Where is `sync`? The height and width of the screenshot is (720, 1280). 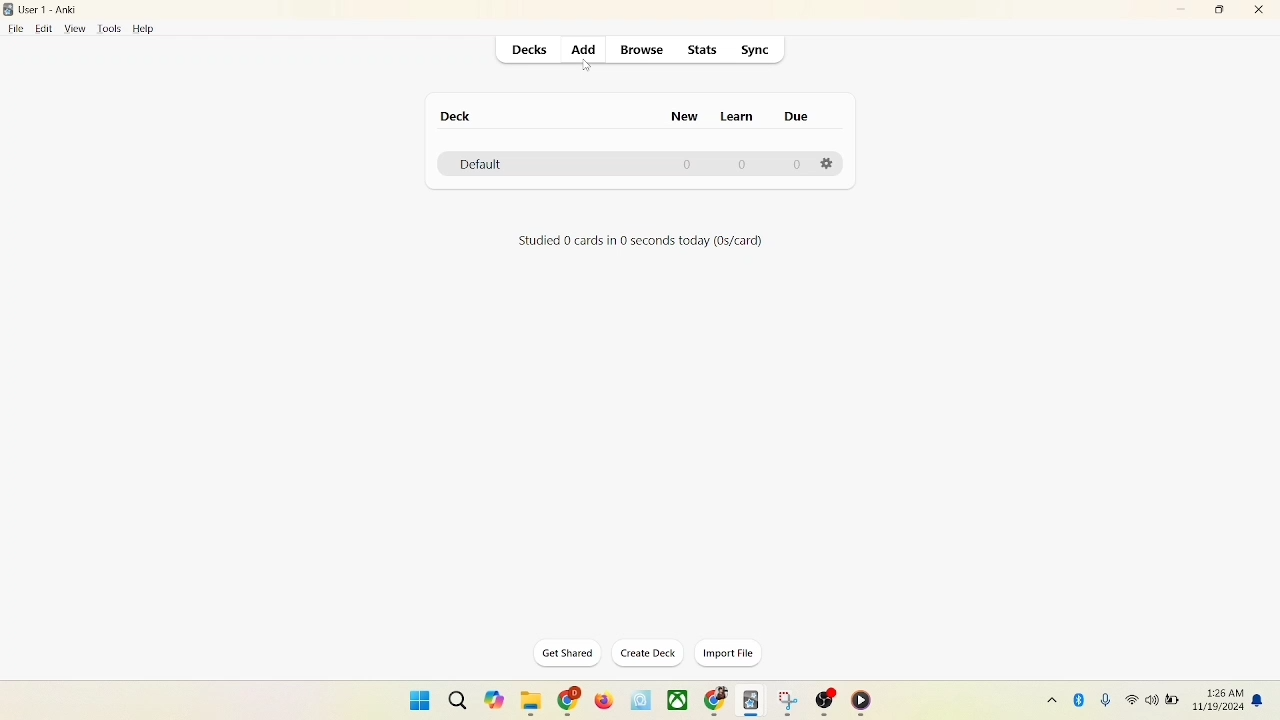
sync is located at coordinates (756, 50).